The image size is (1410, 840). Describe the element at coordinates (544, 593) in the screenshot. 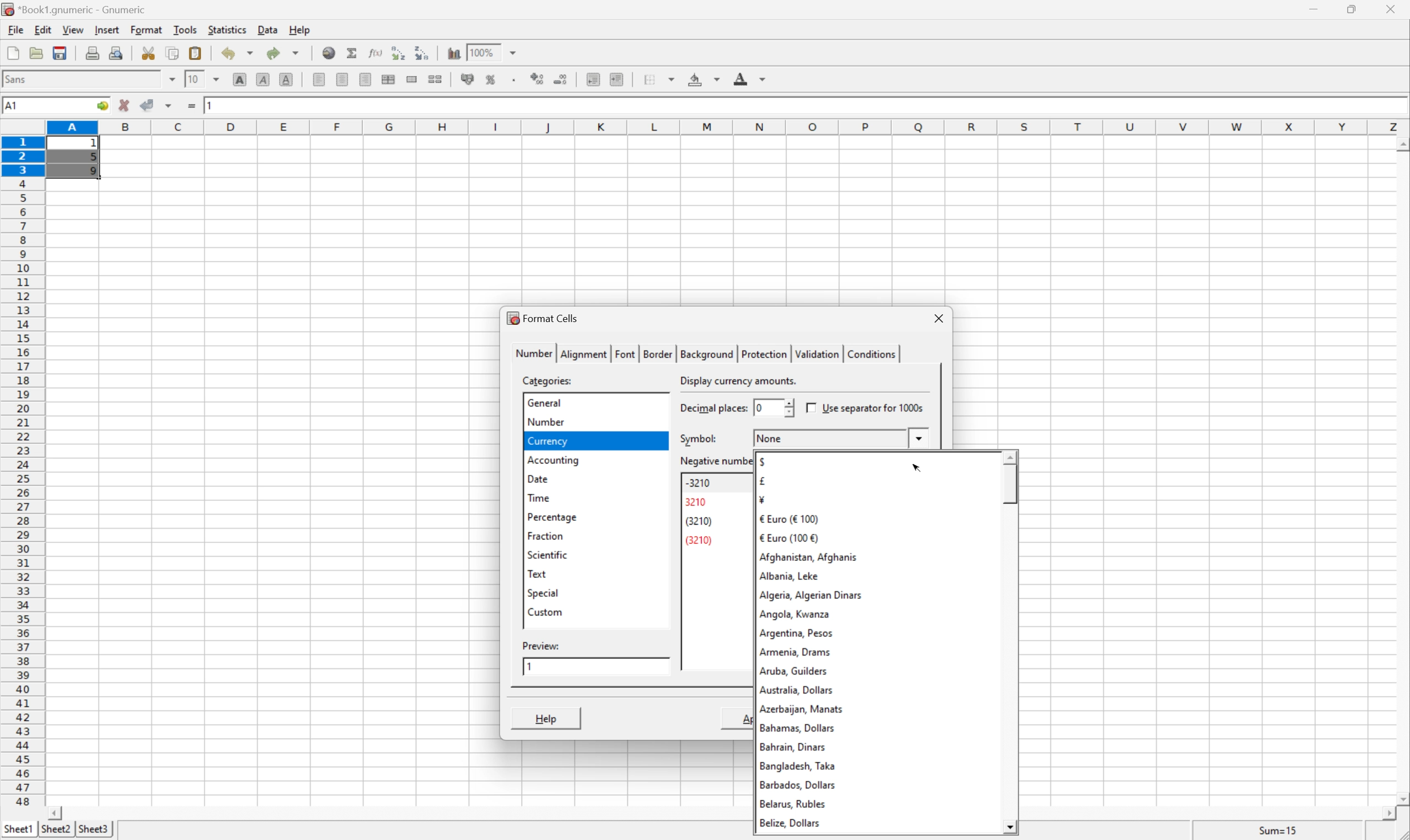

I see `special` at that location.